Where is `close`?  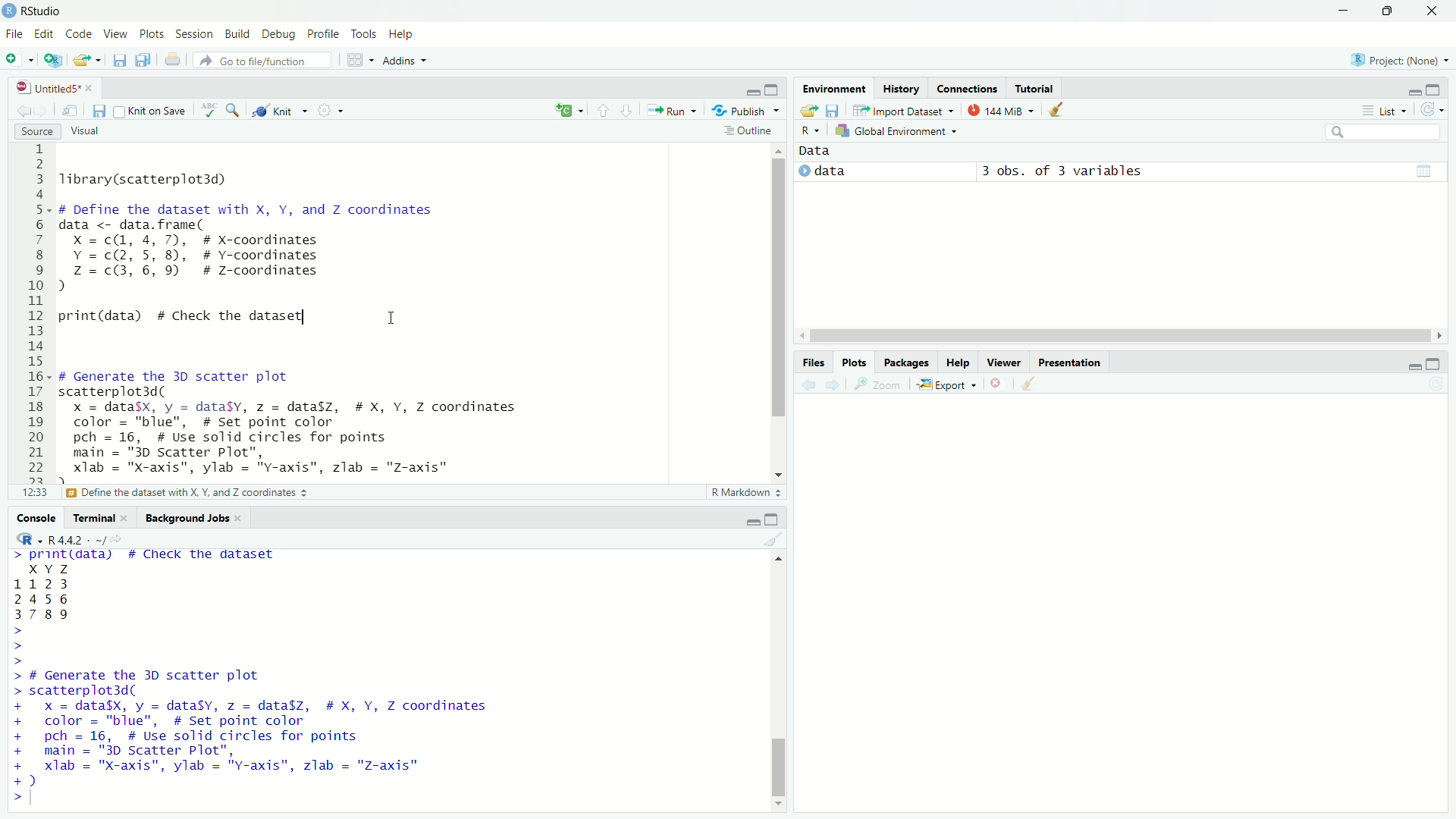
close is located at coordinates (94, 87).